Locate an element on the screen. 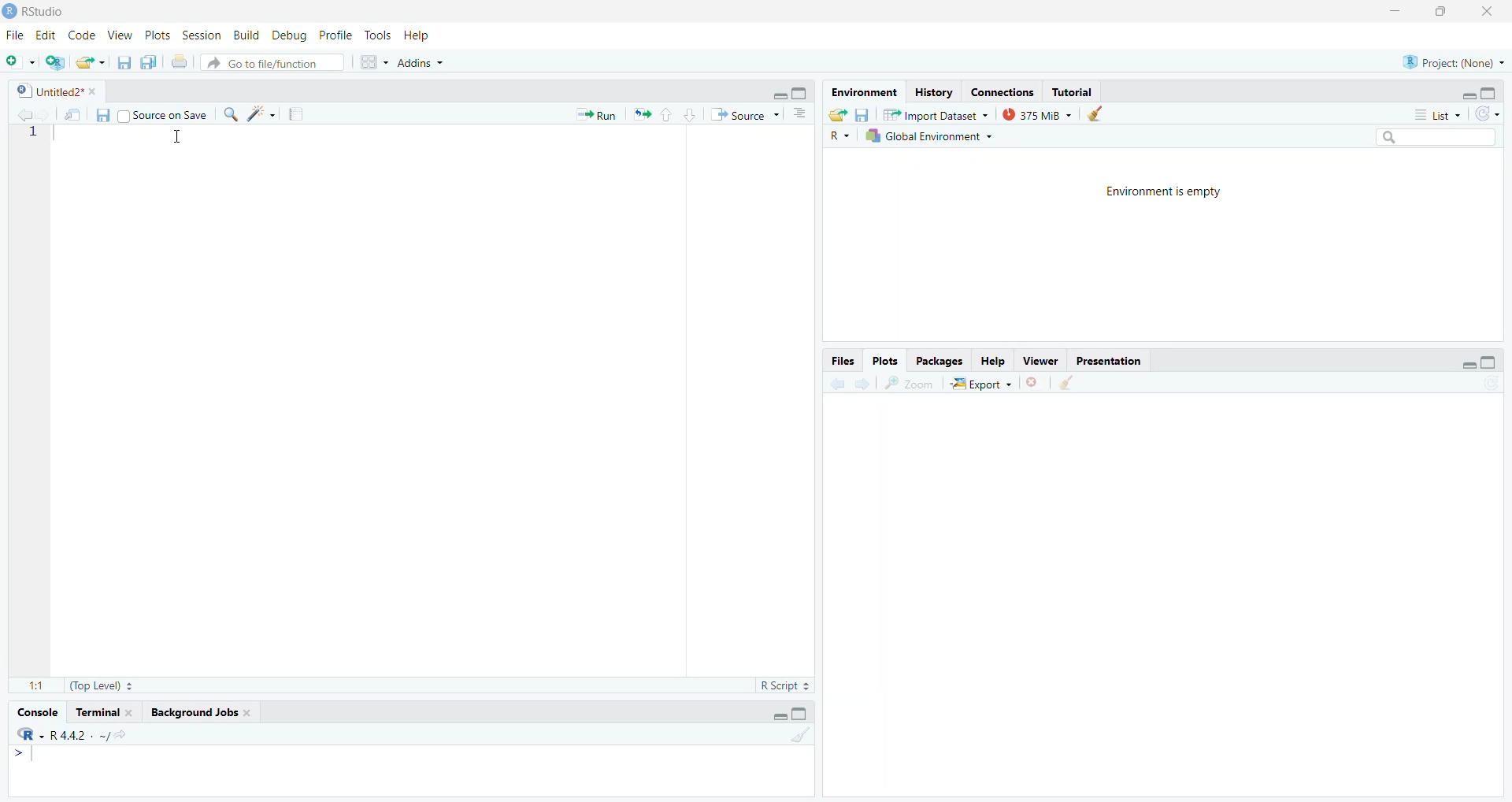  hide console is located at coordinates (1488, 360).